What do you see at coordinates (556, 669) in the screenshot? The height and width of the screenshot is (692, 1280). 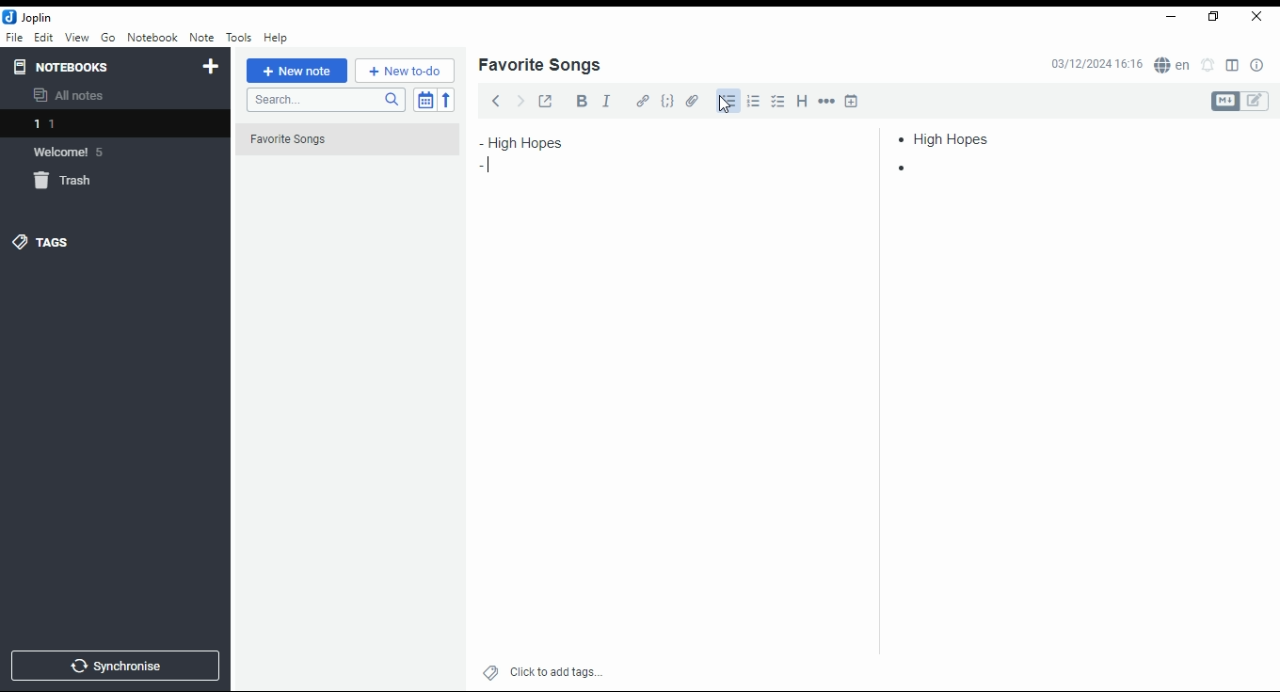 I see `click to add tags` at bounding box center [556, 669].